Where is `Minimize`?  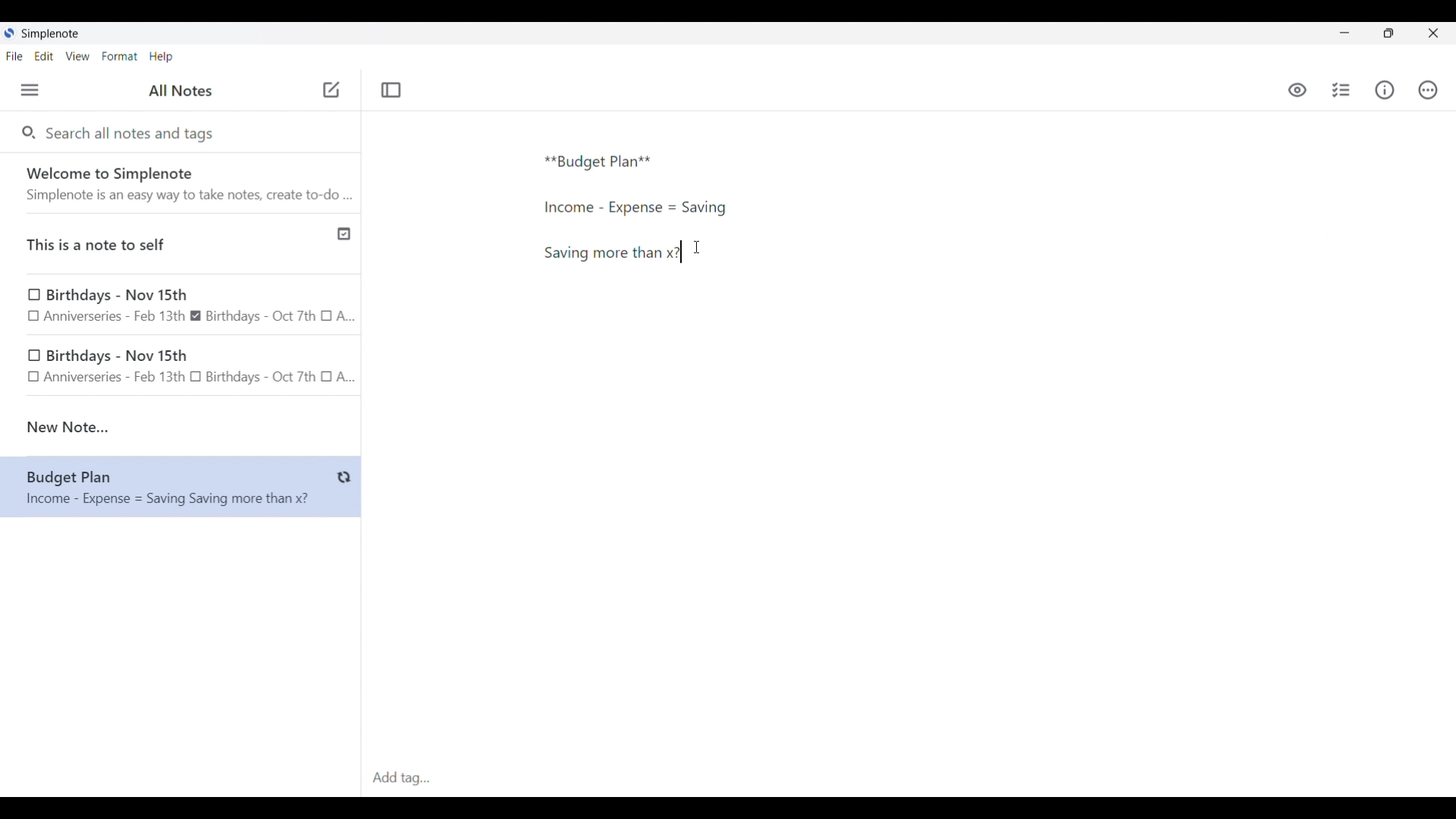
Minimize is located at coordinates (1345, 33).